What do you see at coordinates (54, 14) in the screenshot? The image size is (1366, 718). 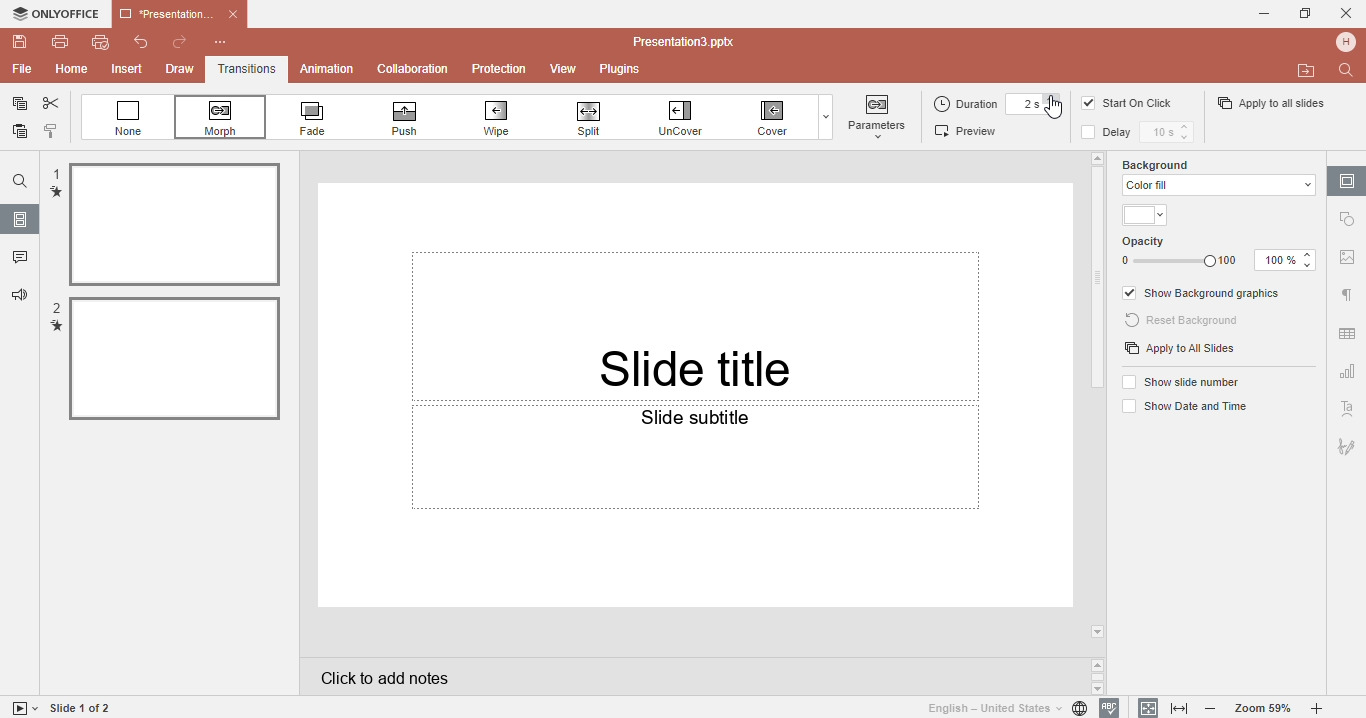 I see `Only office` at bounding box center [54, 14].